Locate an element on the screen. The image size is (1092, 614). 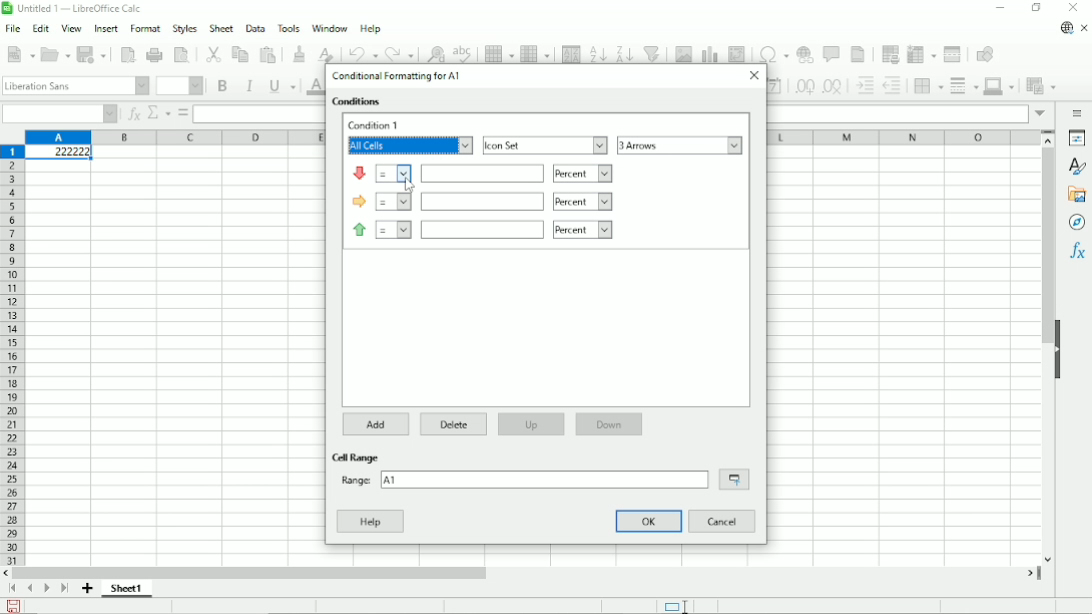
Insert special characters is located at coordinates (771, 52).